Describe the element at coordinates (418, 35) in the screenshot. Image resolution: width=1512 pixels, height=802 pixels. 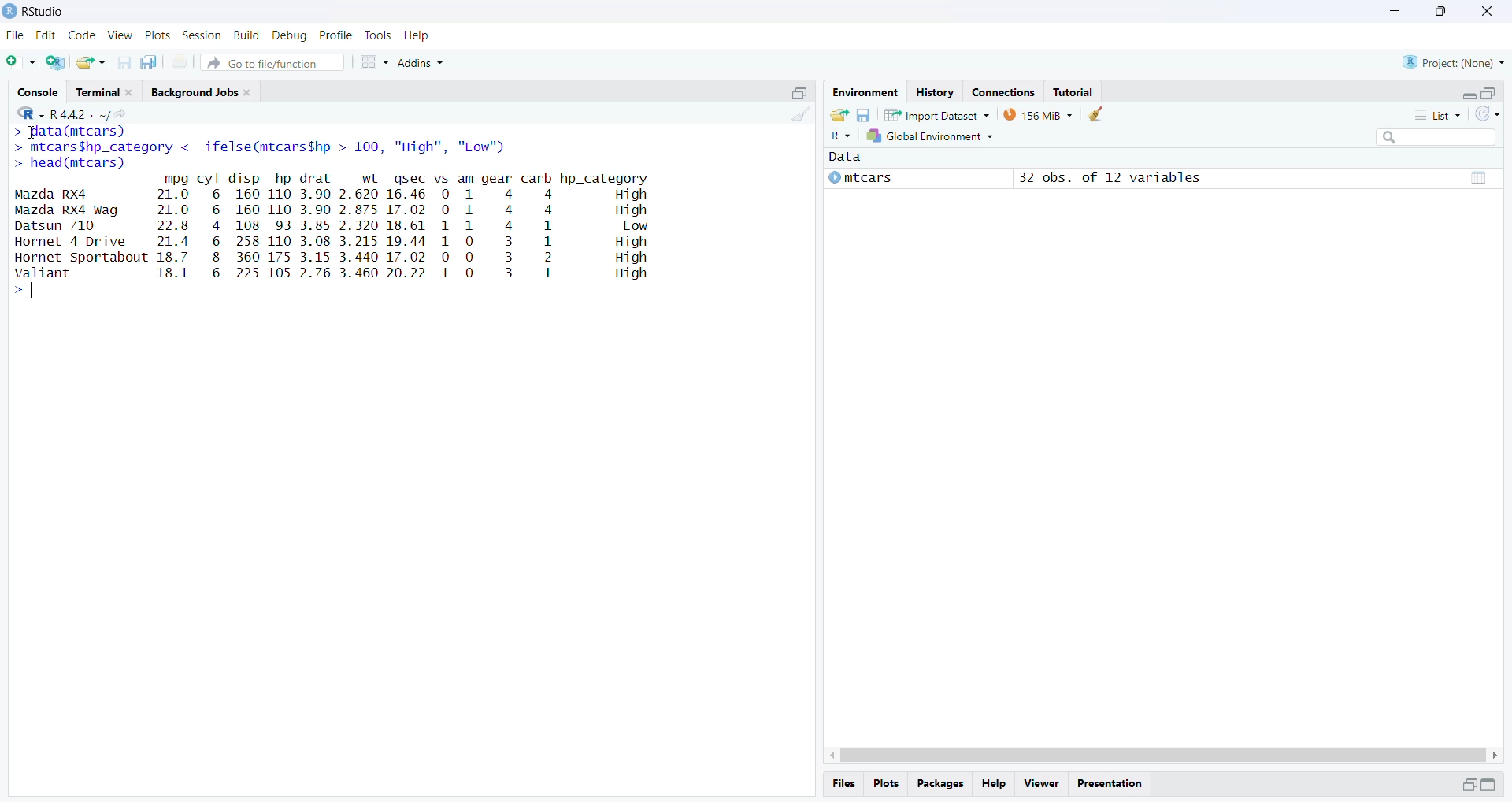
I see `Help` at that location.